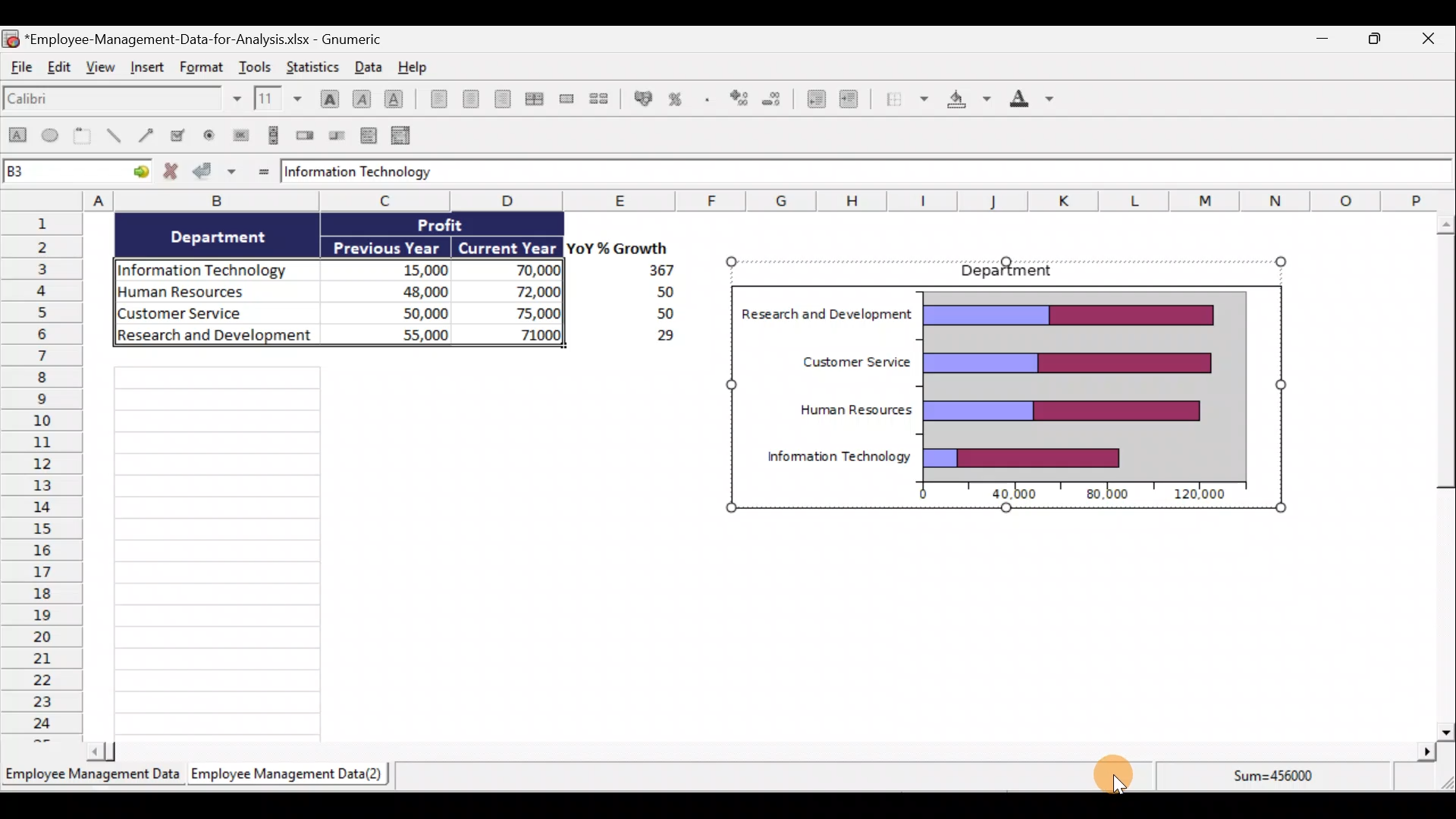 The height and width of the screenshot is (819, 1456). What do you see at coordinates (263, 171) in the screenshot?
I see `Enter formula` at bounding box center [263, 171].